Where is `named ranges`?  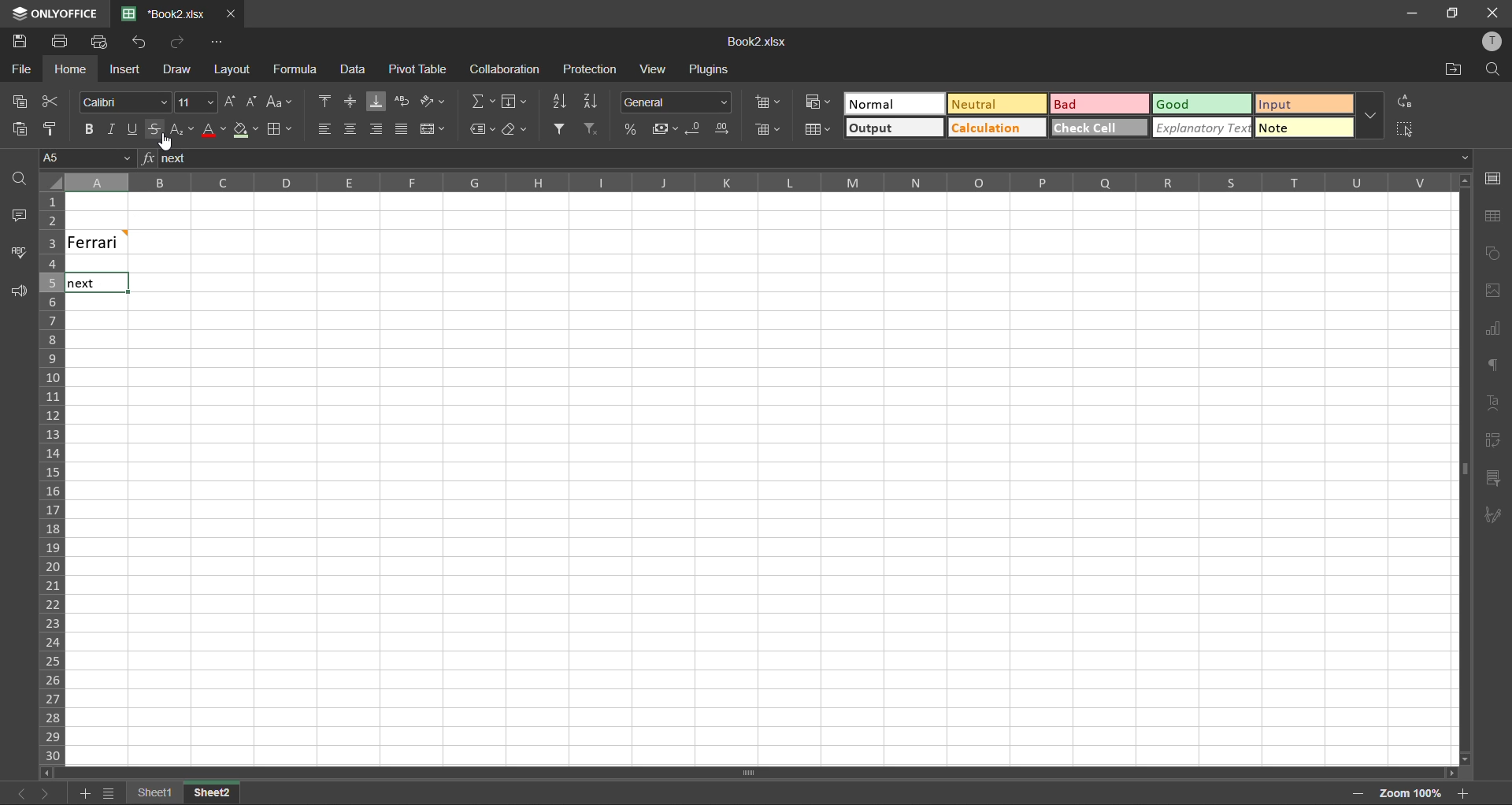 named ranges is located at coordinates (482, 129).